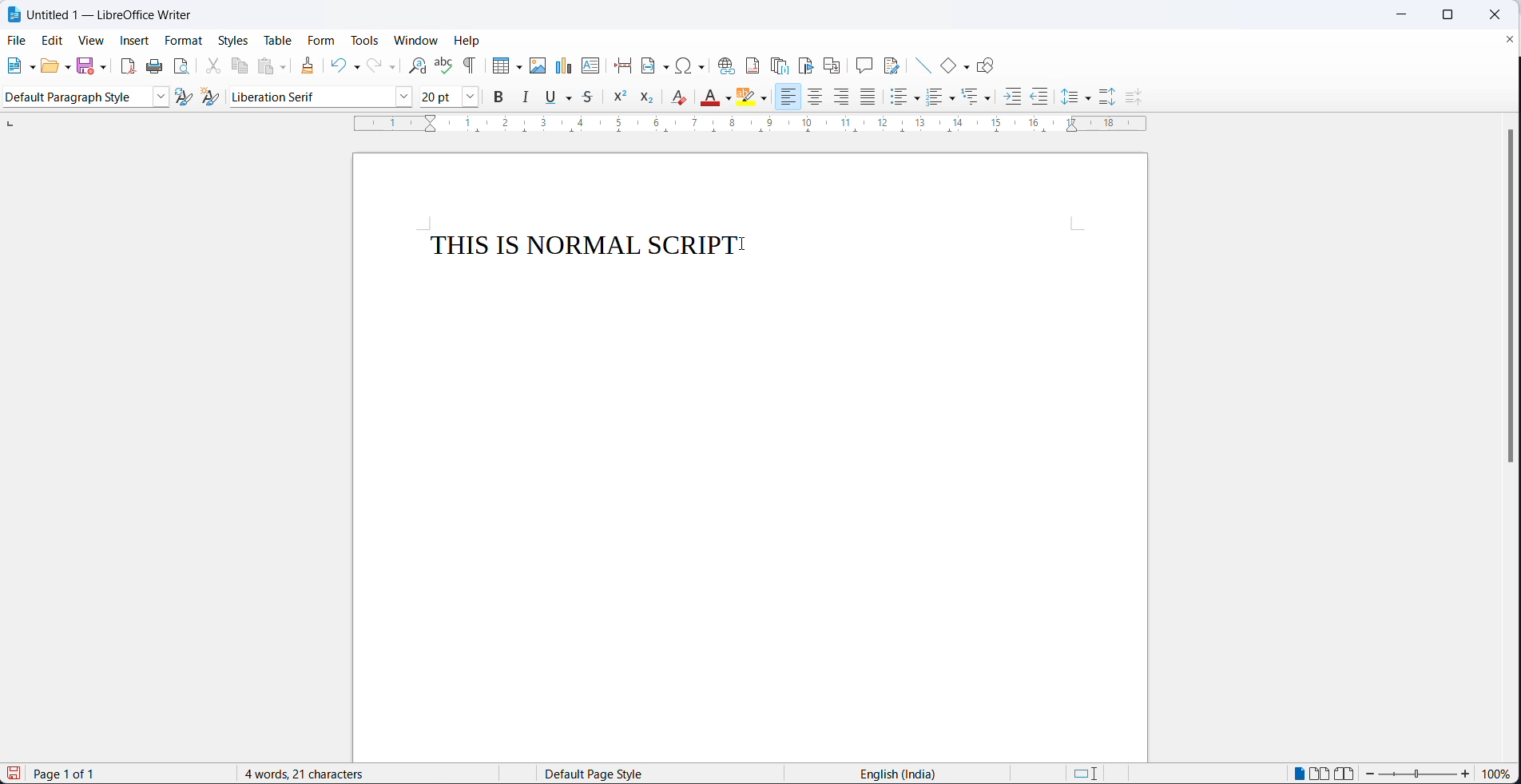 This screenshot has width=1521, height=784. I want to click on find and replace, so click(414, 65).